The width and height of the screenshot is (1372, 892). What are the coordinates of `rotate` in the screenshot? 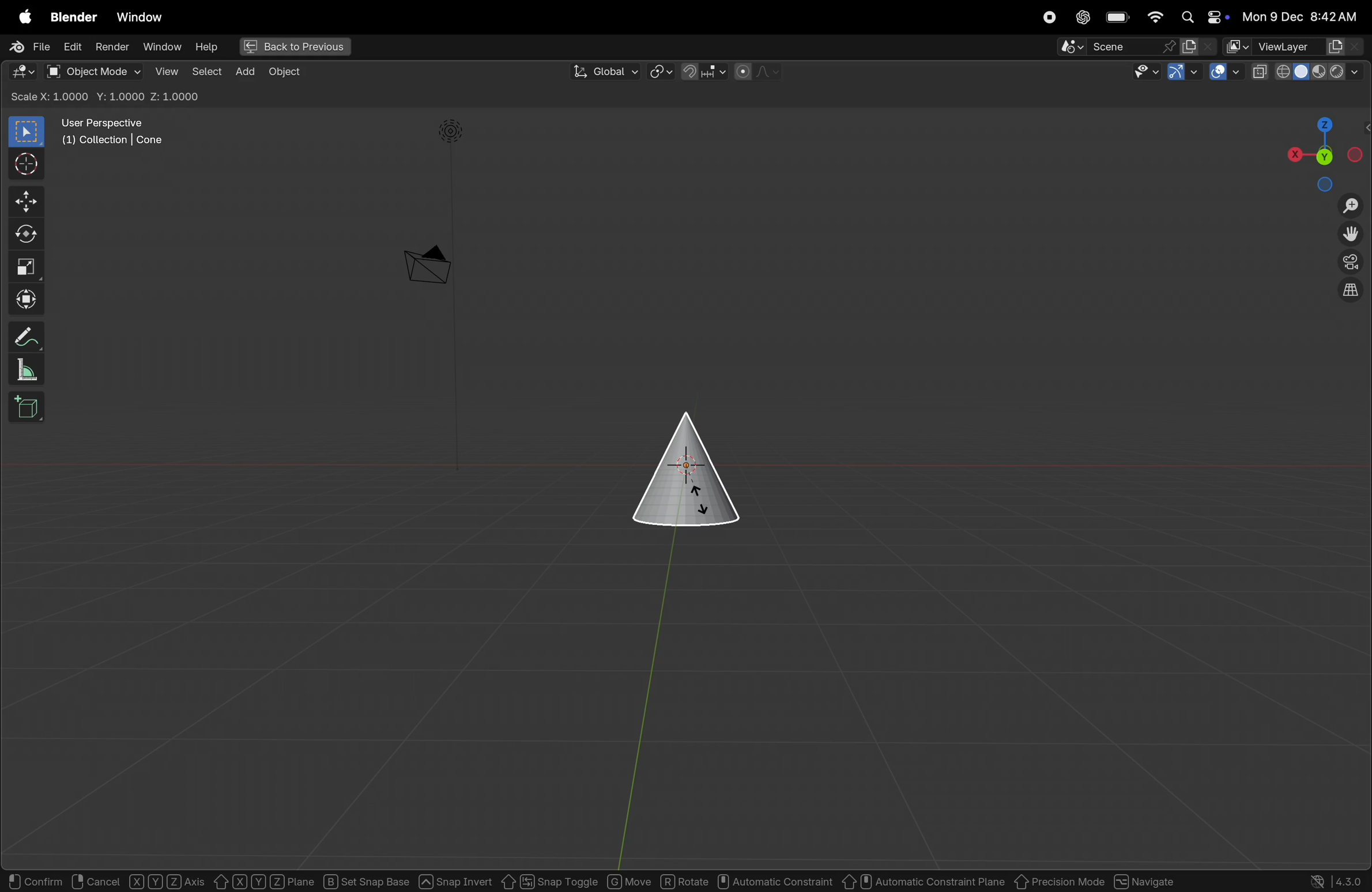 It's located at (688, 882).